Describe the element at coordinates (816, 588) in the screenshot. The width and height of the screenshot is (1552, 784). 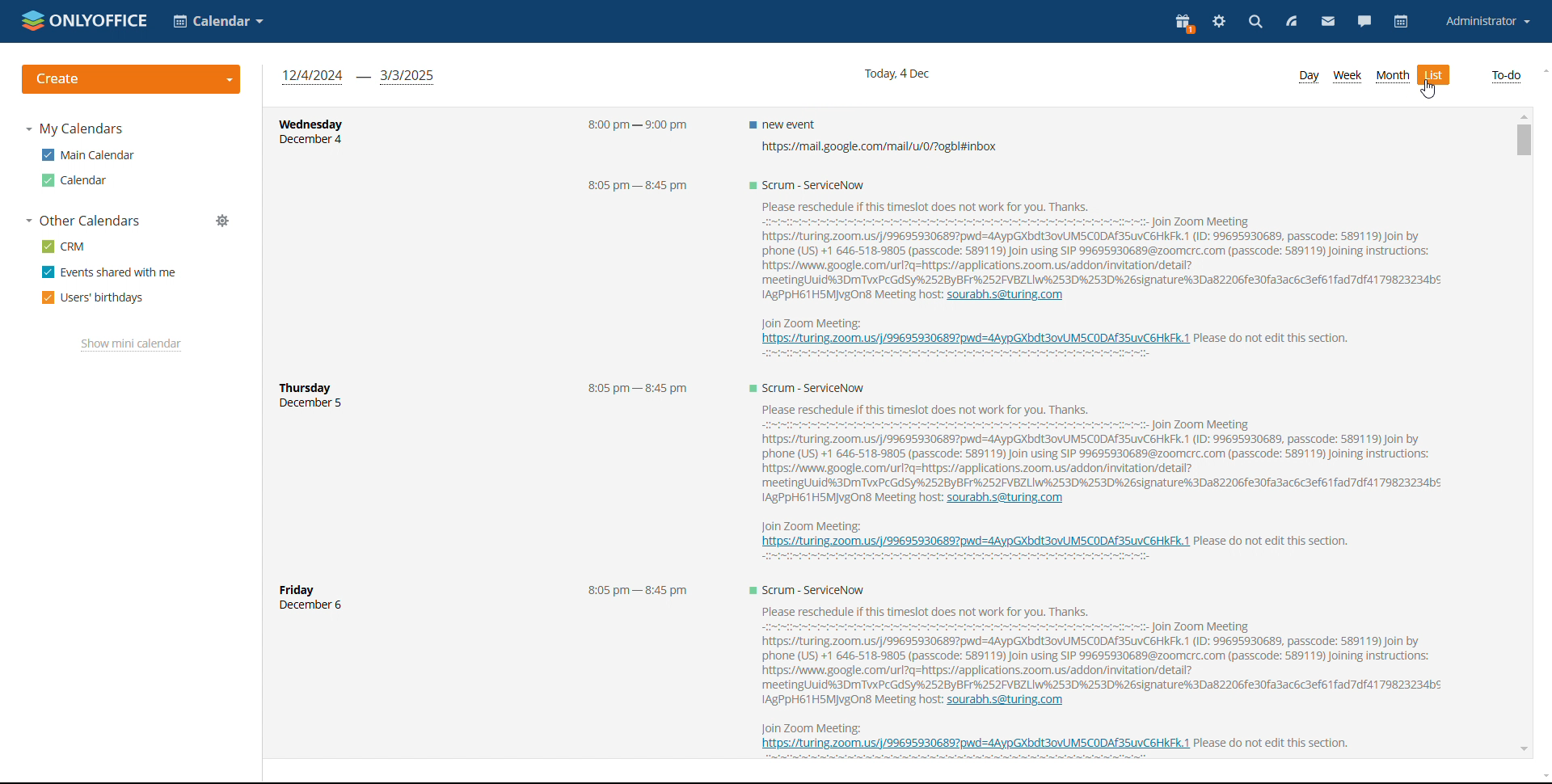
I see `Scrum - ServiceNow` at that location.